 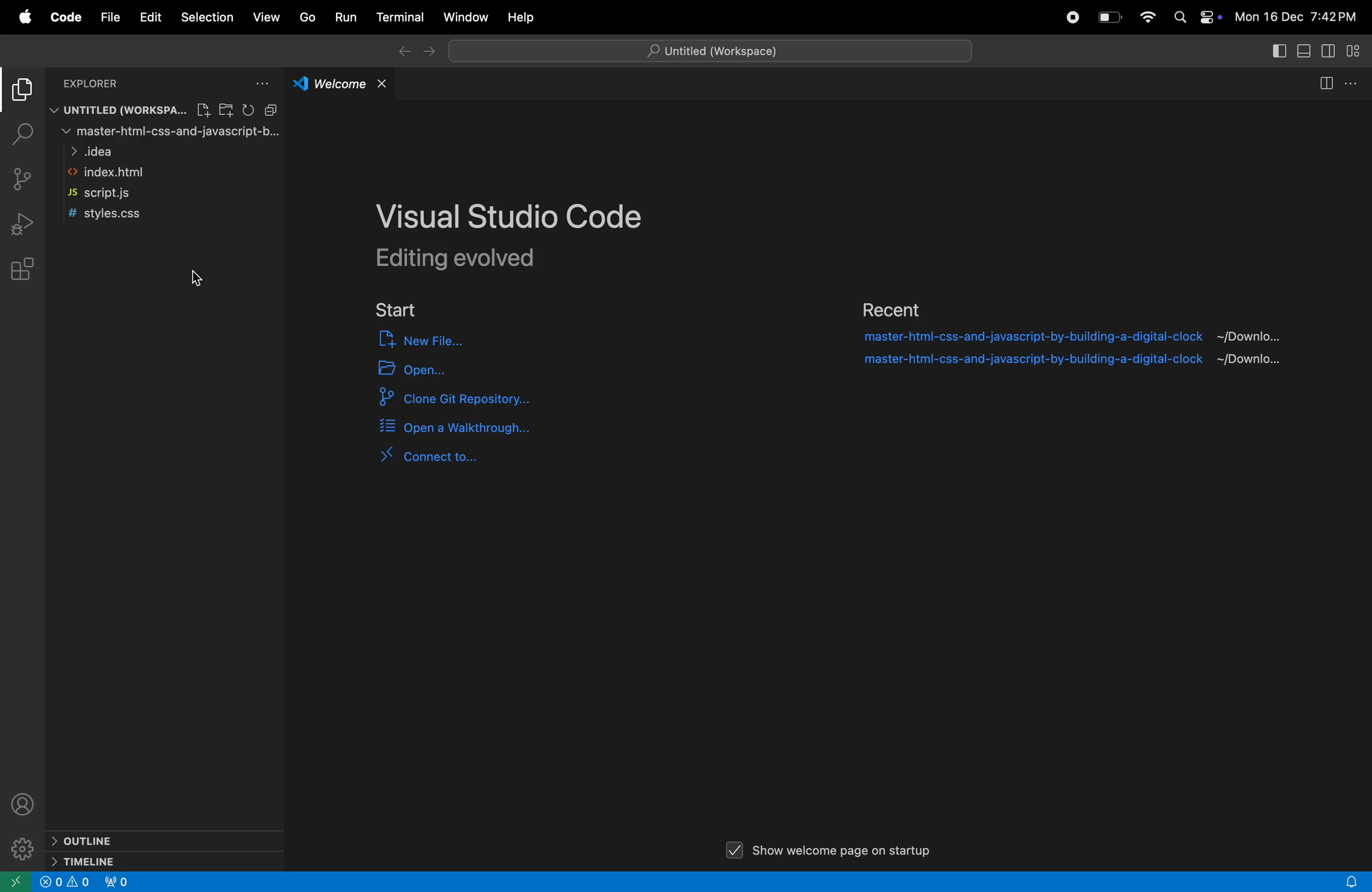 What do you see at coordinates (713, 51) in the screenshot?
I see `Search bar` at bounding box center [713, 51].